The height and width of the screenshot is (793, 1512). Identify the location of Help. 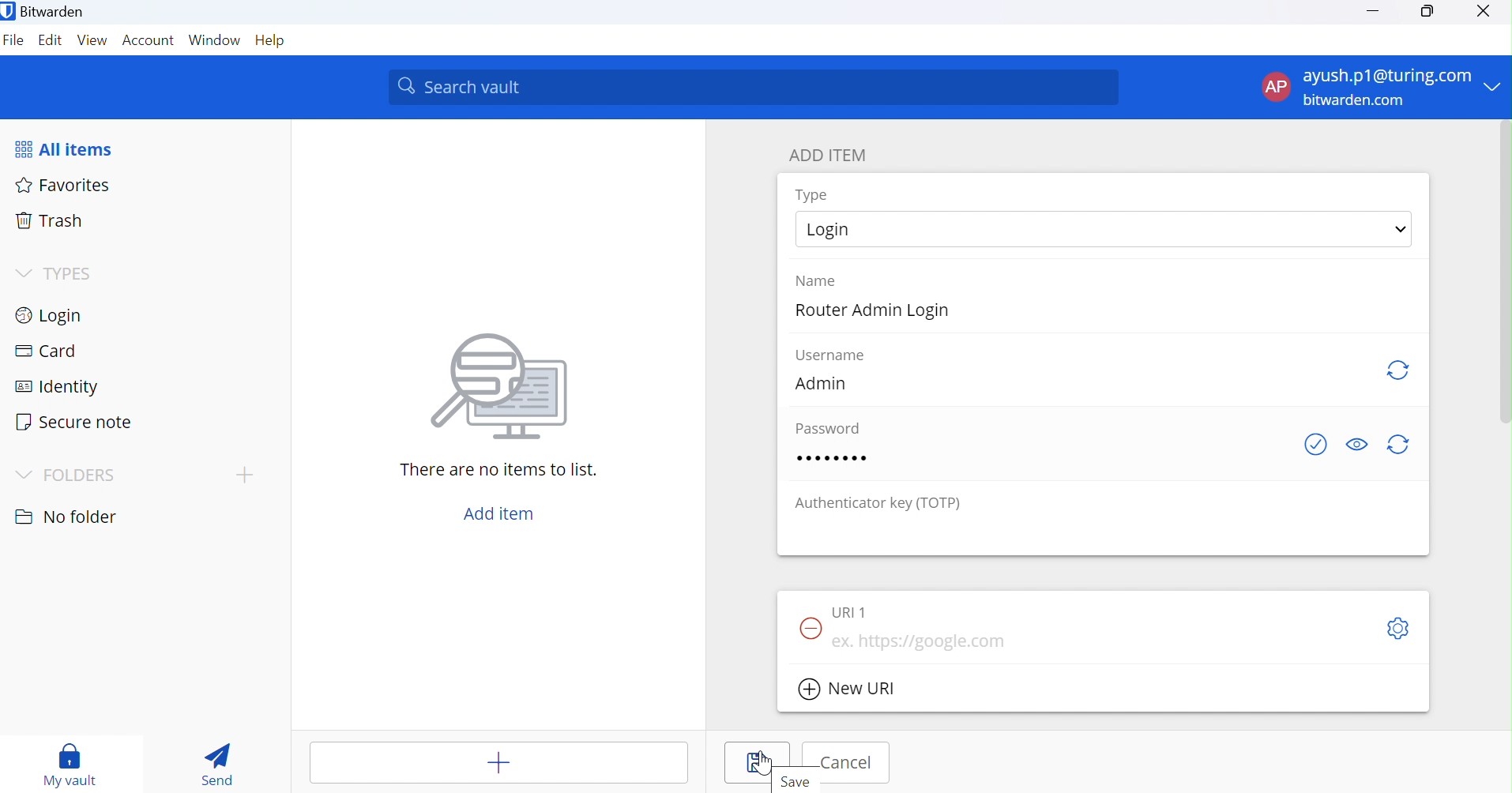
(273, 41).